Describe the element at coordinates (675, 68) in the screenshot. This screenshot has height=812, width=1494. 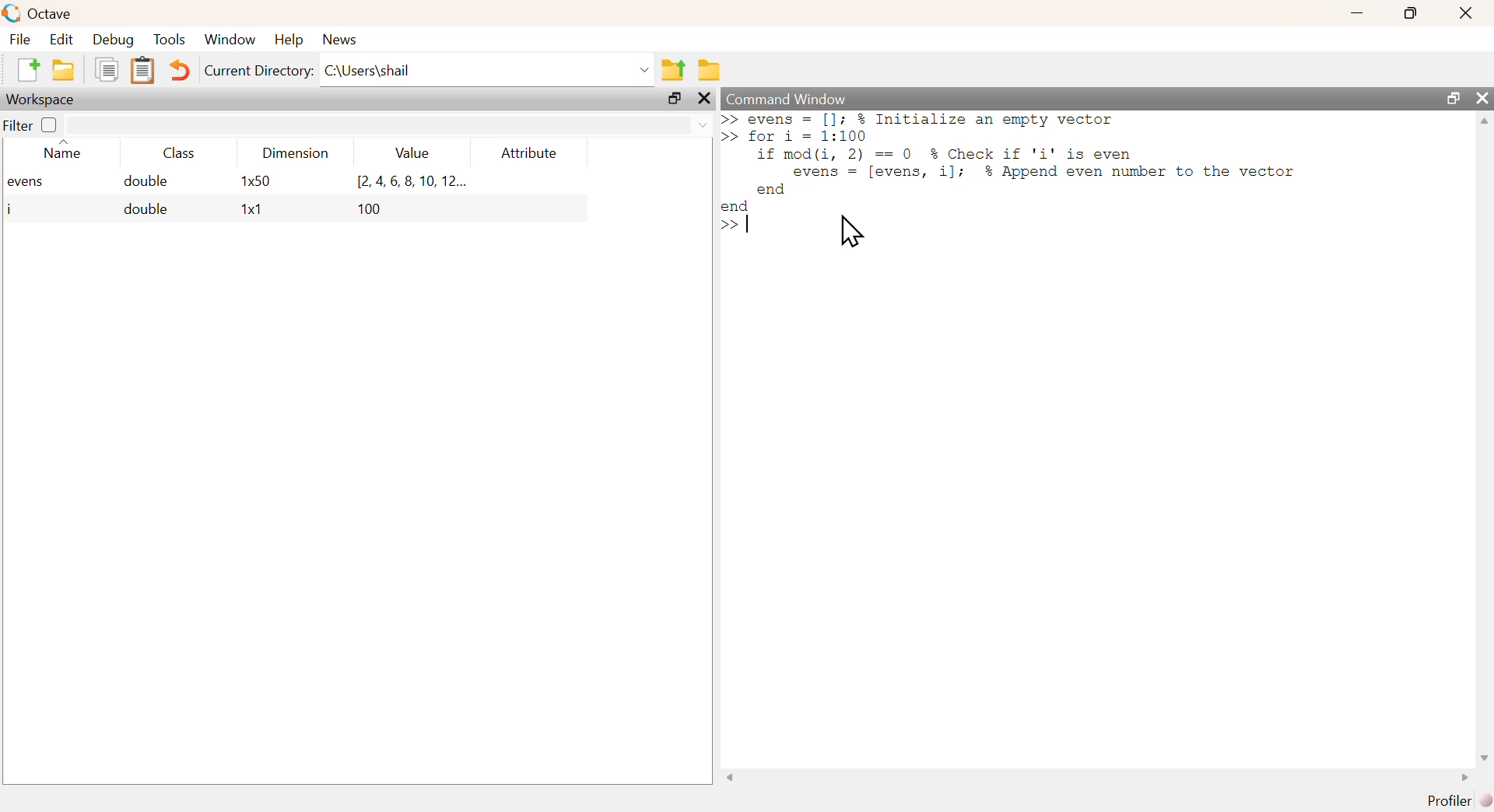
I see `one directory up` at that location.